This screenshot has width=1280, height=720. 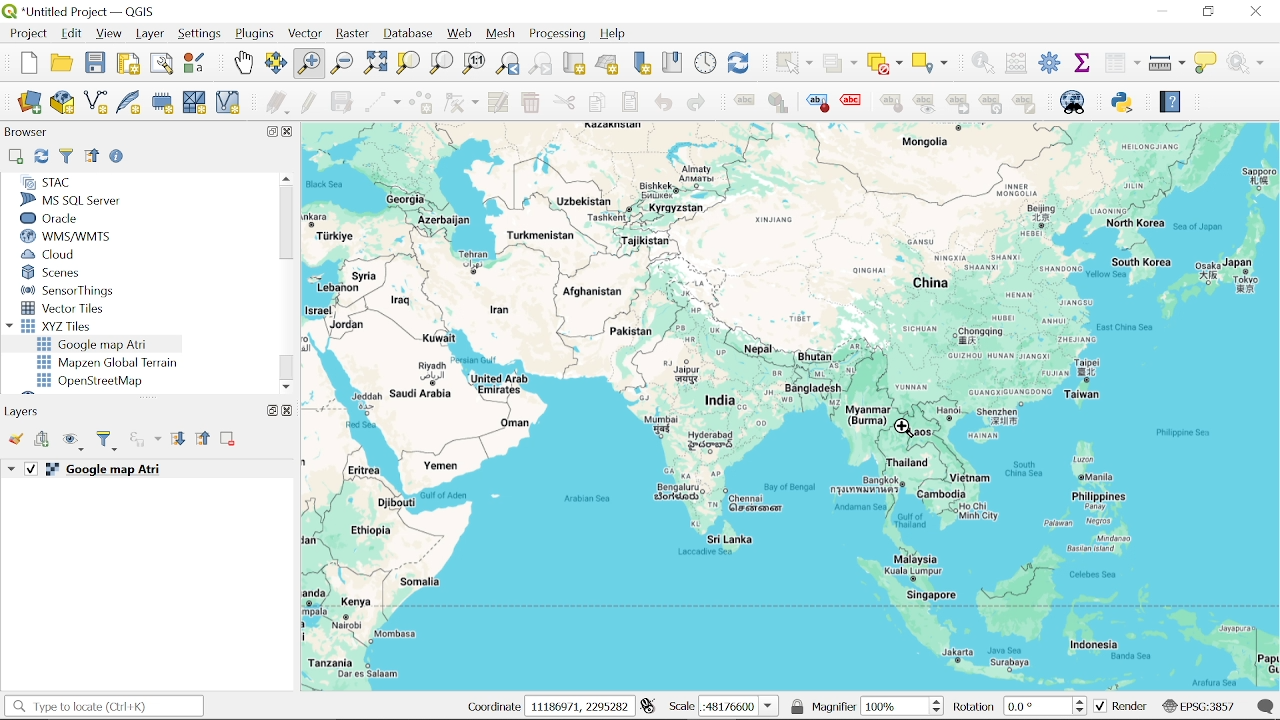 I want to click on Filter Browser, so click(x=66, y=156).